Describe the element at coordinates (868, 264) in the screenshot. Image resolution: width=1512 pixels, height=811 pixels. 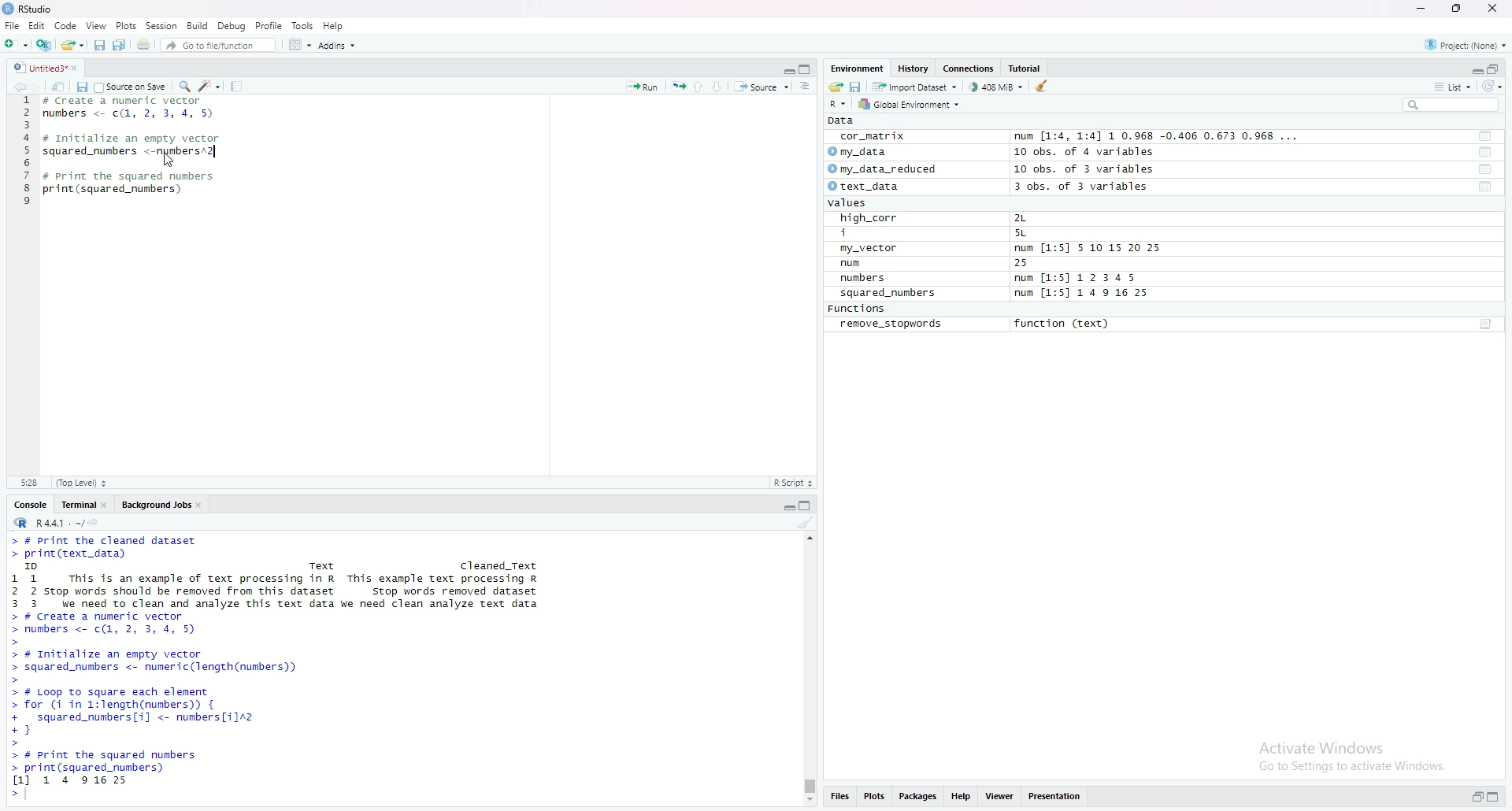
I see `num` at that location.